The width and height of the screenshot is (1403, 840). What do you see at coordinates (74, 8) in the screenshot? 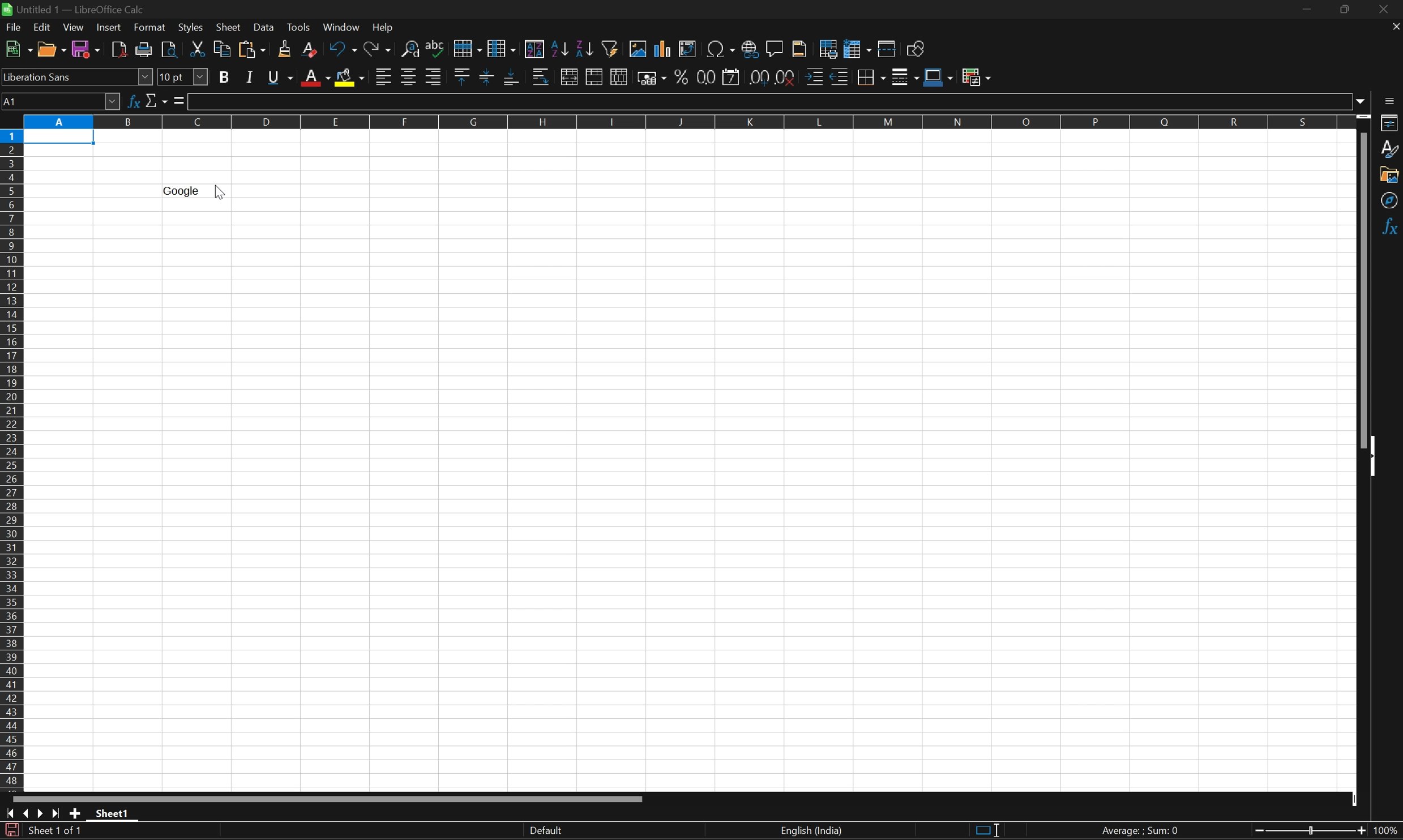
I see `Untitled1 - LibreOffice Calc` at bounding box center [74, 8].